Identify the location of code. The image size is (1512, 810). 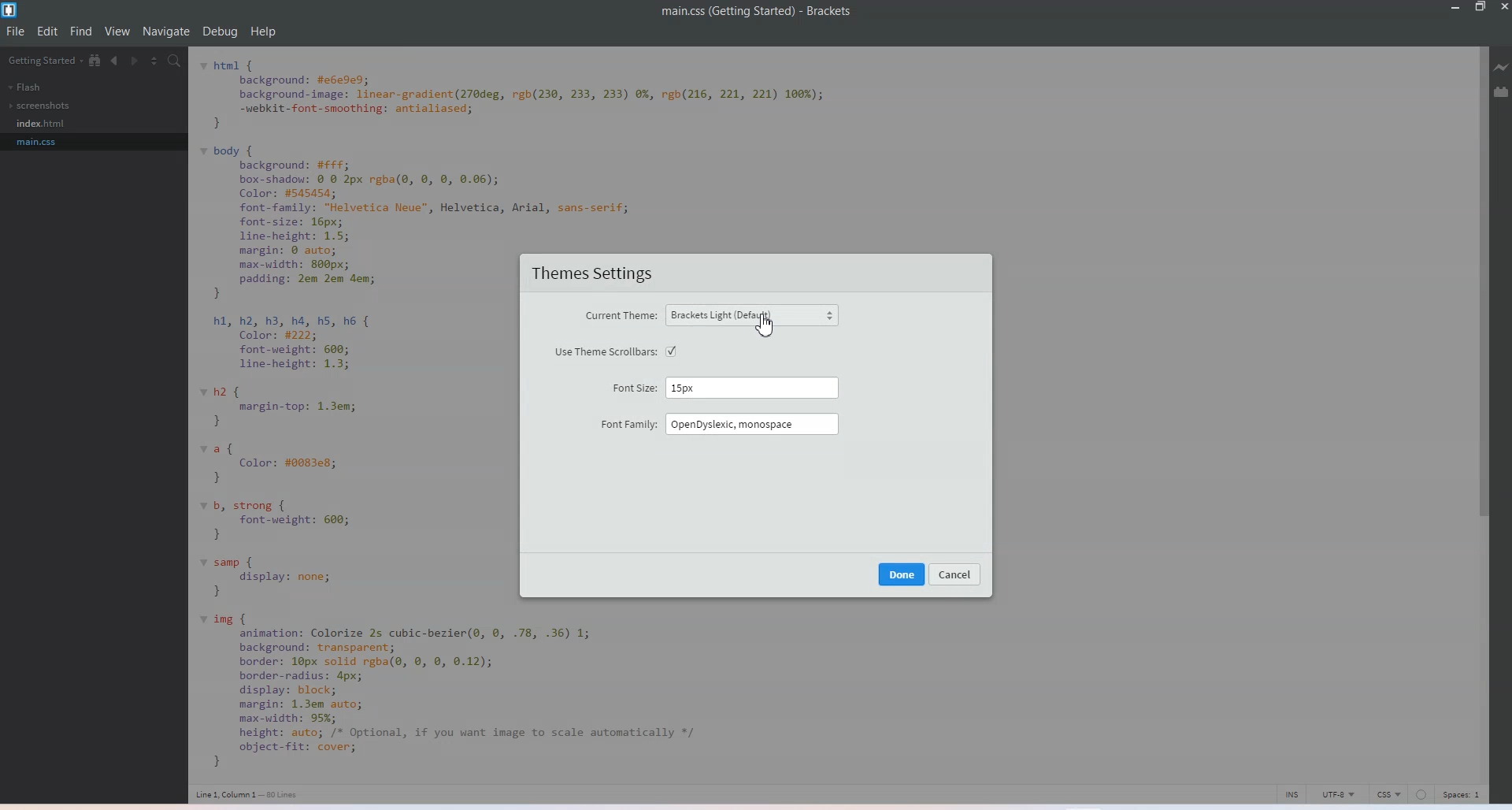
(544, 147).